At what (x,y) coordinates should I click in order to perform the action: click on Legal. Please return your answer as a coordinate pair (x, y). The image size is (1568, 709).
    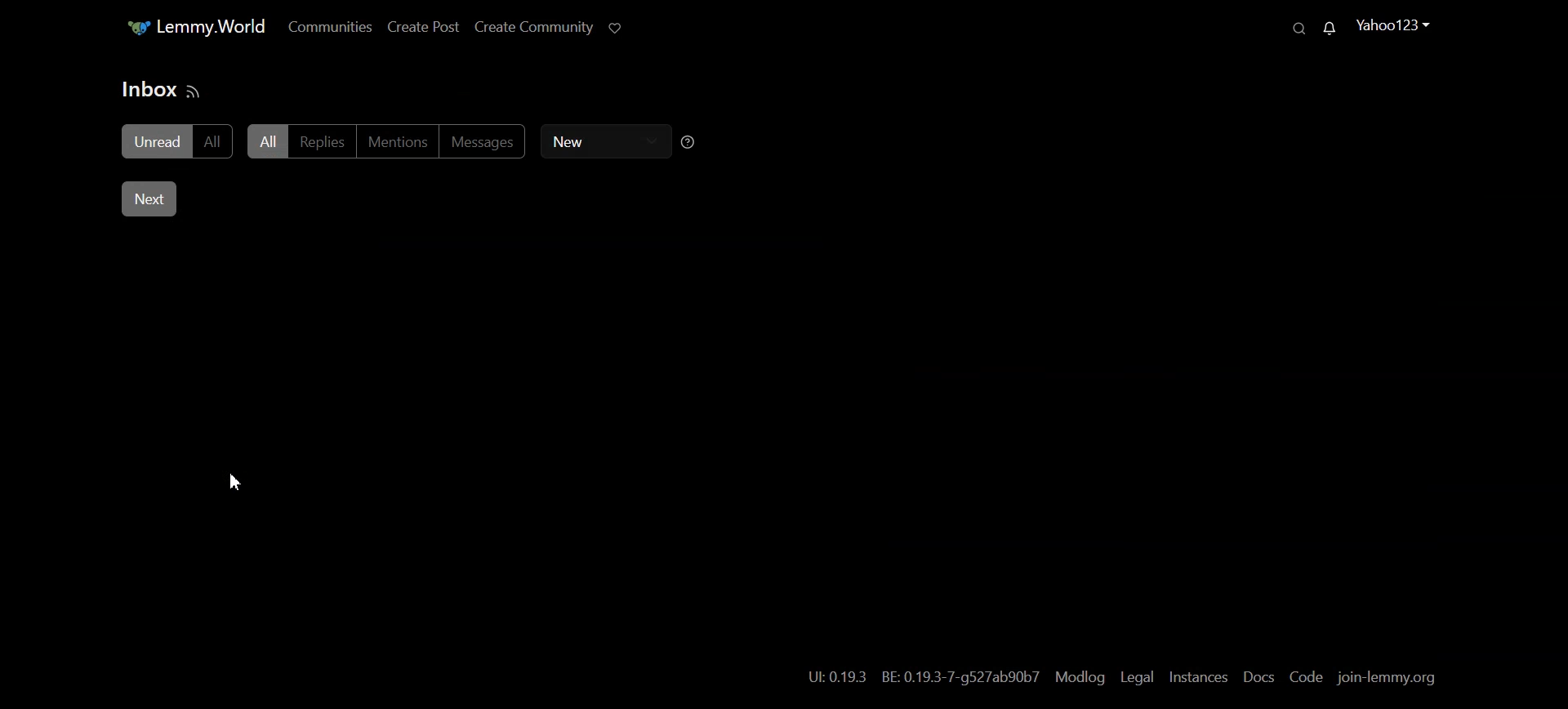
    Looking at the image, I should click on (1138, 678).